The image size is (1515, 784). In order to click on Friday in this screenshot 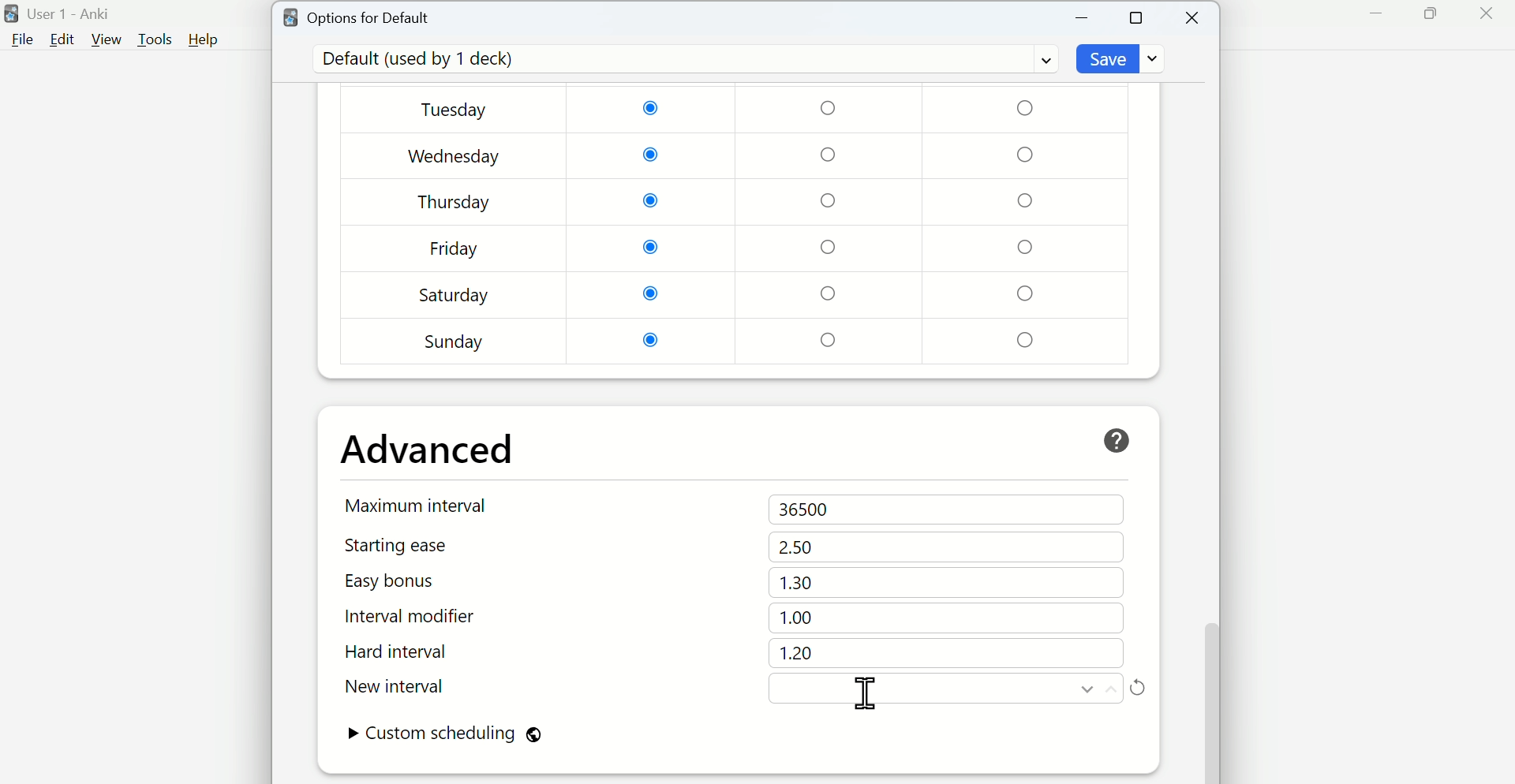, I will do `click(454, 252)`.